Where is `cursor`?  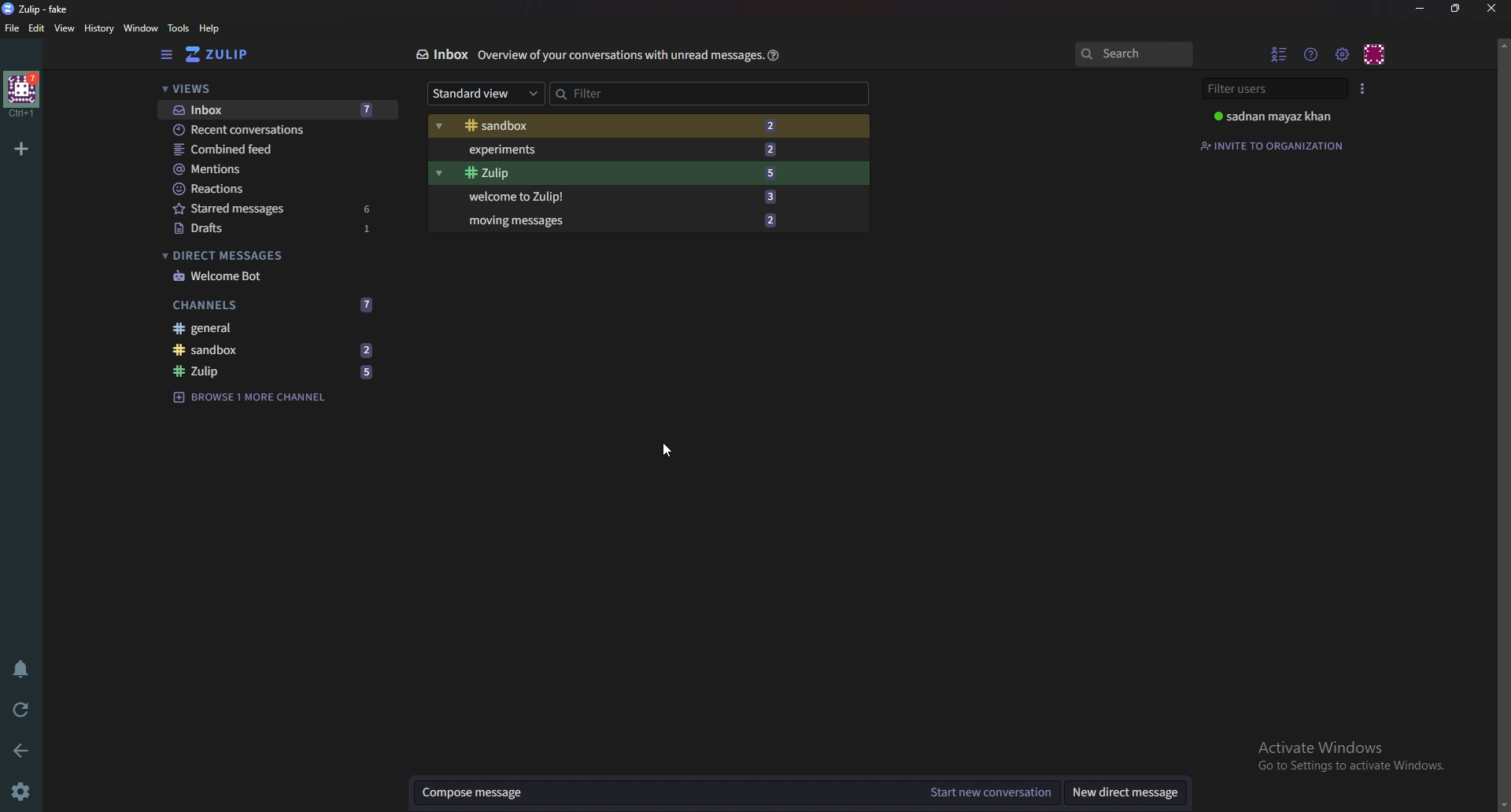
cursor is located at coordinates (669, 448).